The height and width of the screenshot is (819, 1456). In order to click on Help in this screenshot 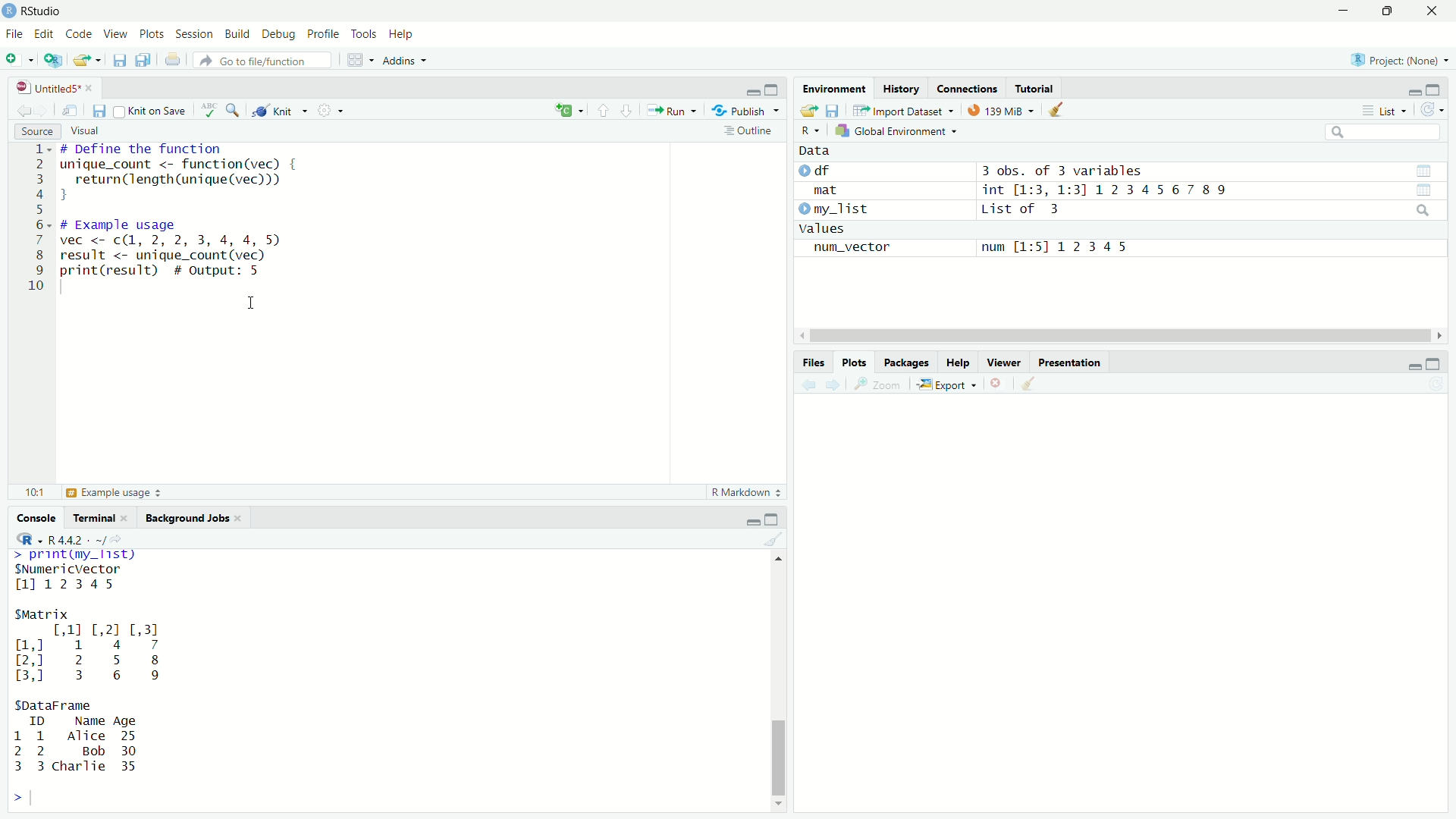, I will do `click(958, 362)`.